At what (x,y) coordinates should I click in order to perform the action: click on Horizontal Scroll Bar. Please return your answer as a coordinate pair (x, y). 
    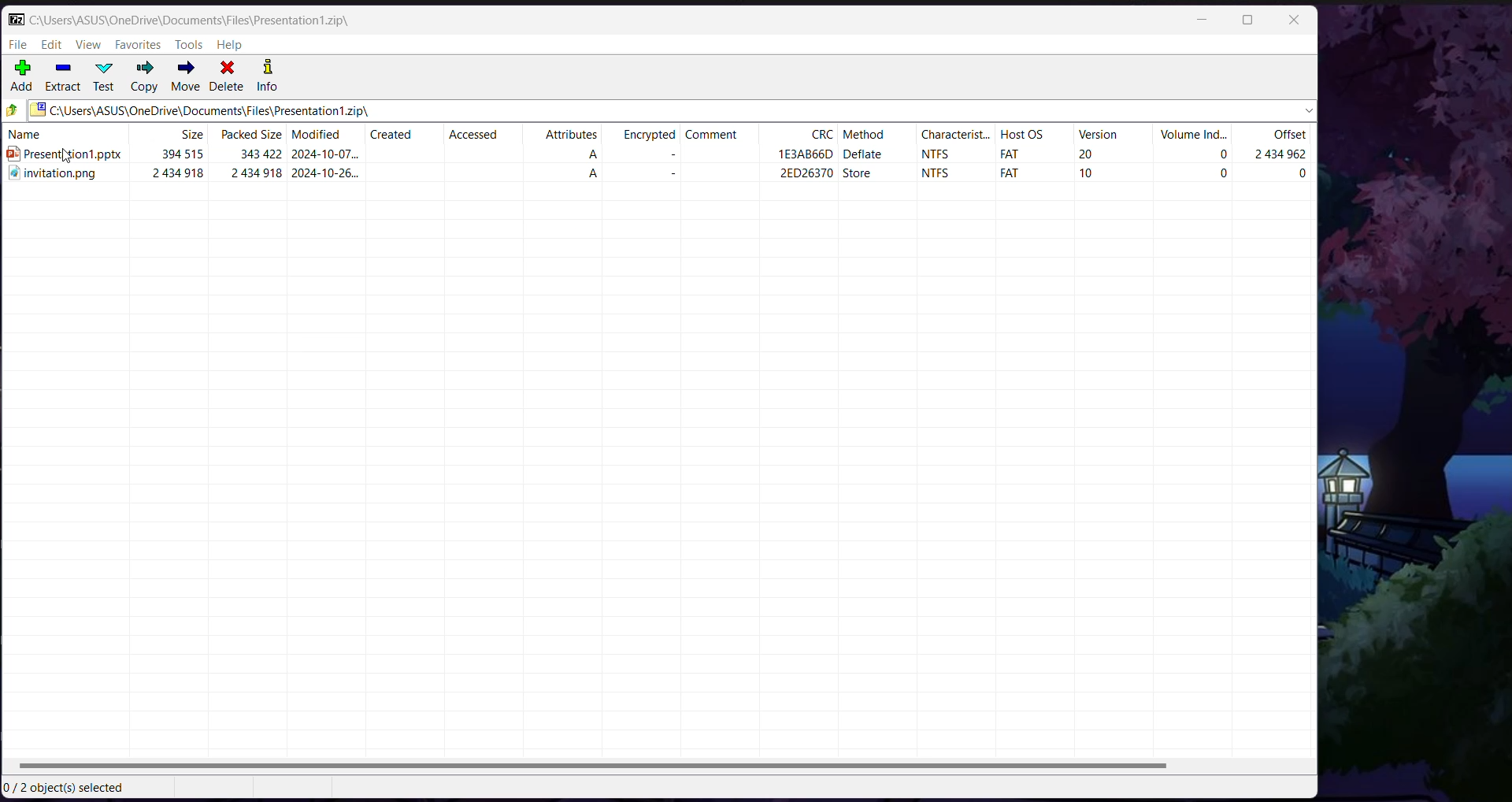
    Looking at the image, I should click on (659, 767).